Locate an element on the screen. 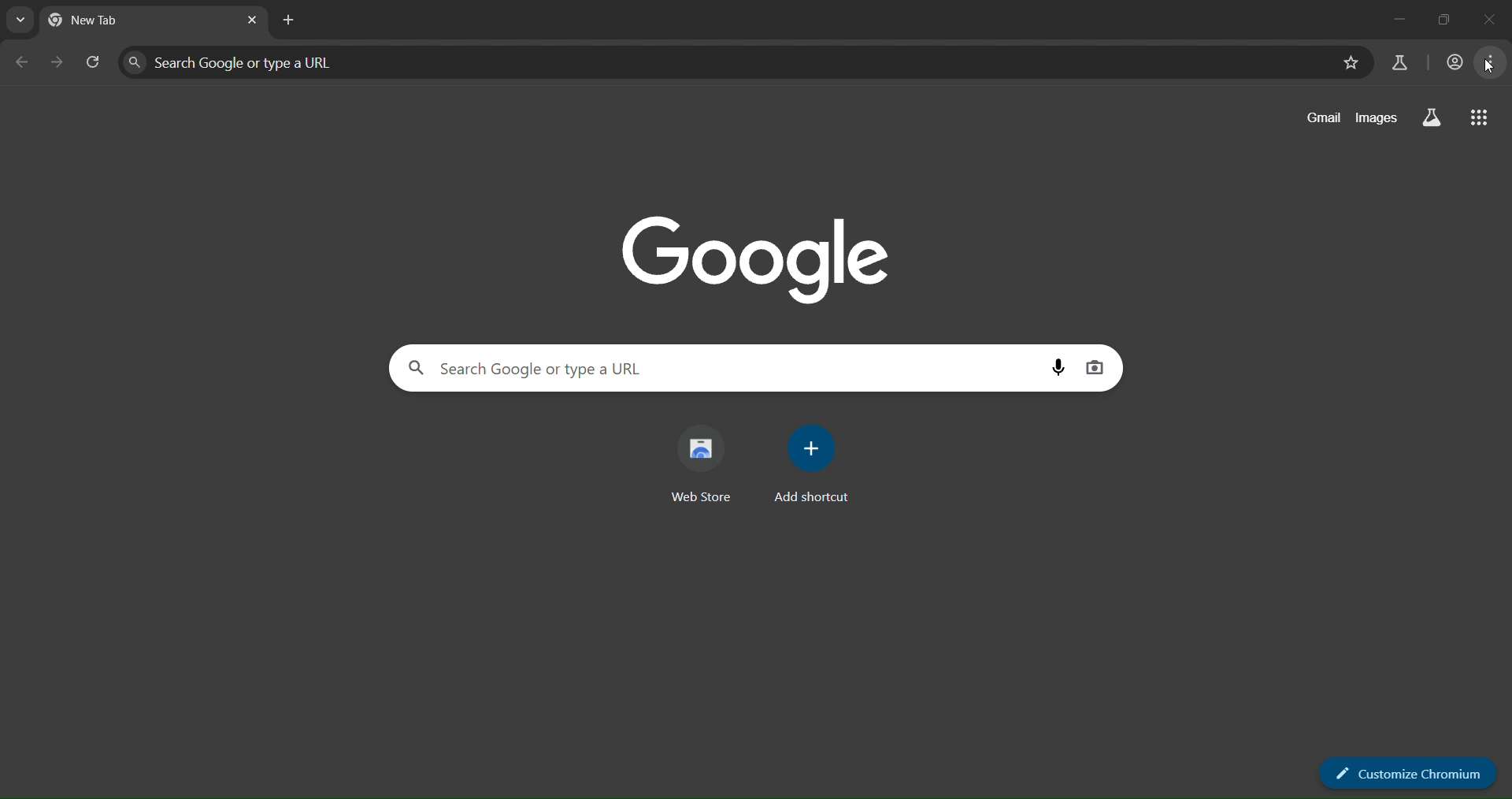 The image size is (1512, 799). close is located at coordinates (1484, 20).